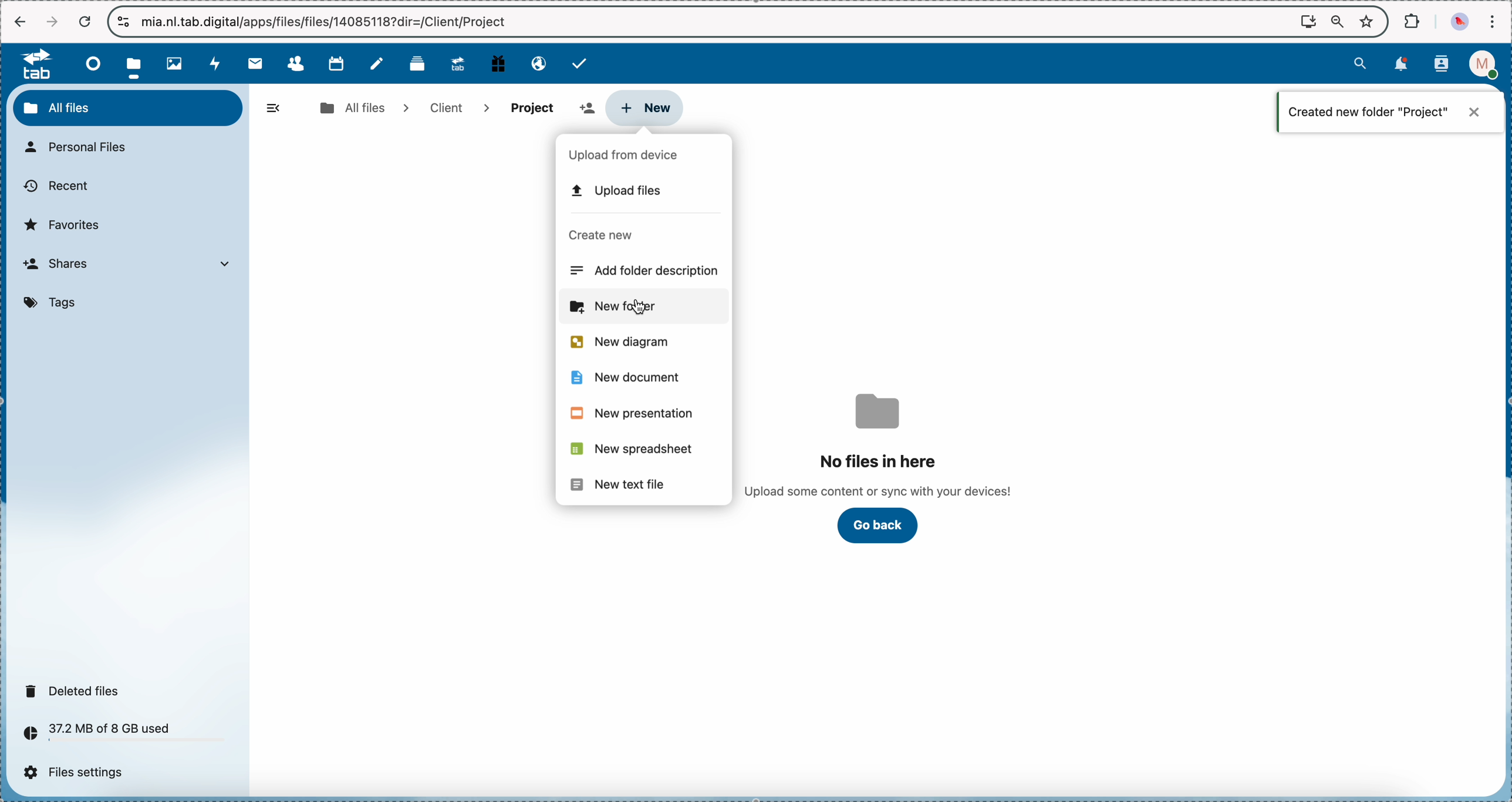  Describe the element at coordinates (128, 107) in the screenshot. I see `all files` at that location.